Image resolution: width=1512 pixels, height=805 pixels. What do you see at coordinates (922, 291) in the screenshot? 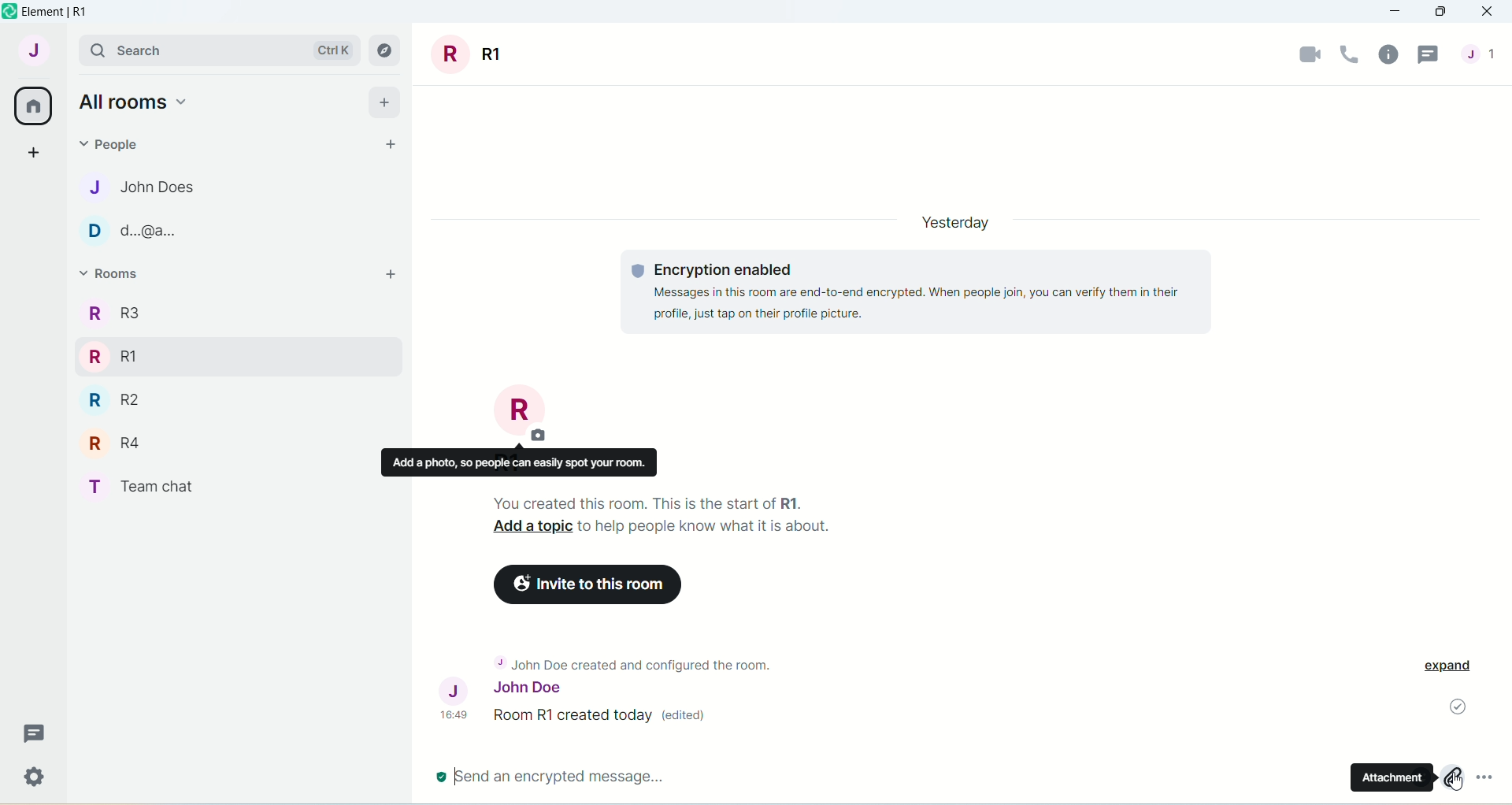
I see `Encryption enabled Message in this room are end-to-end encrypted...` at bounding box center [922, 291].